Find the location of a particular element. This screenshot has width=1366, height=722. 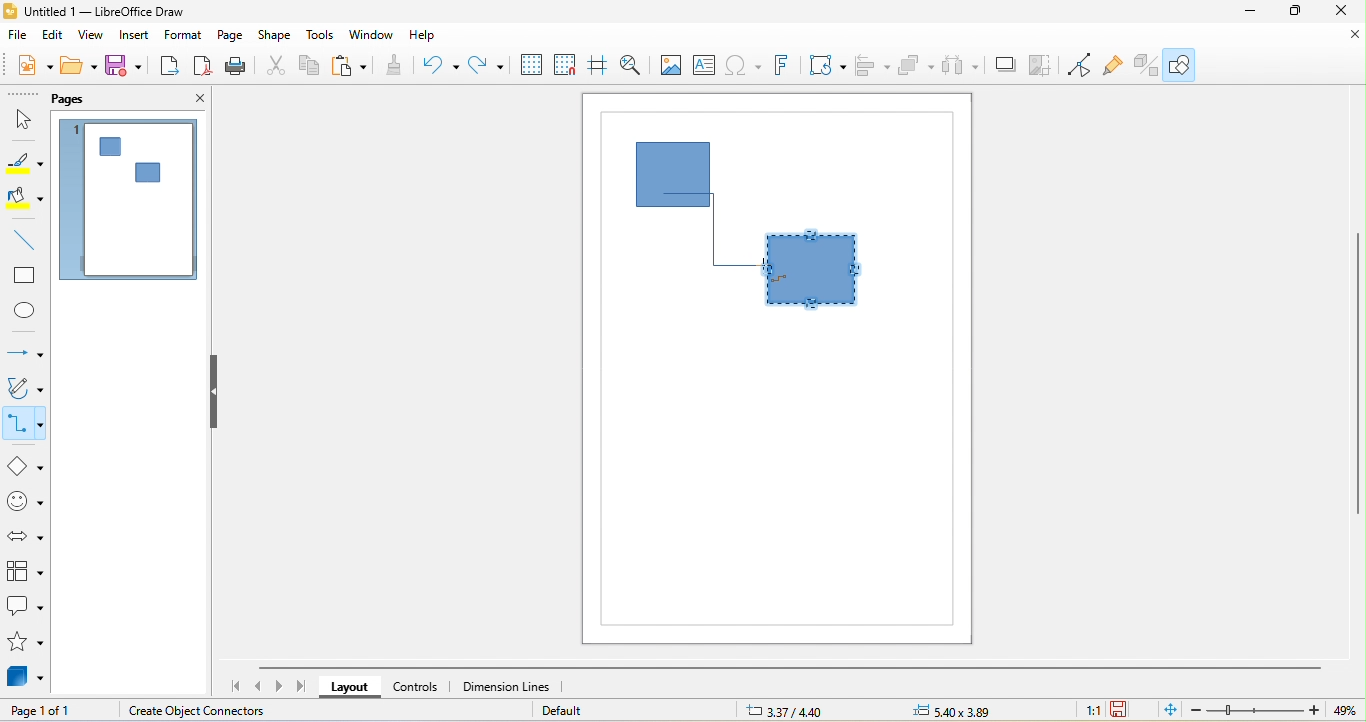

help is located at coordinates (425, 36).